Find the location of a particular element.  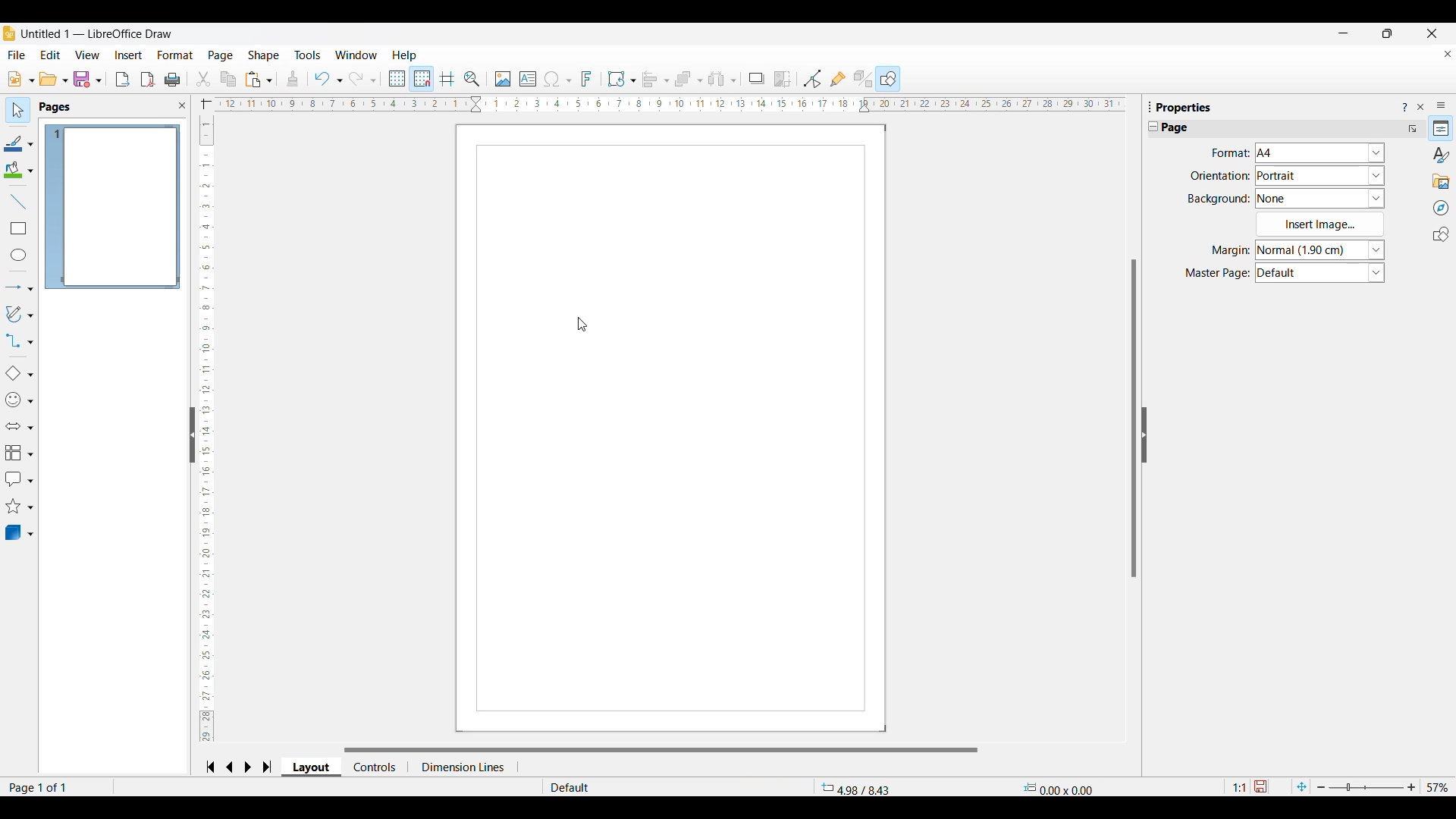

Insert image is located at coordinates (504, 80).